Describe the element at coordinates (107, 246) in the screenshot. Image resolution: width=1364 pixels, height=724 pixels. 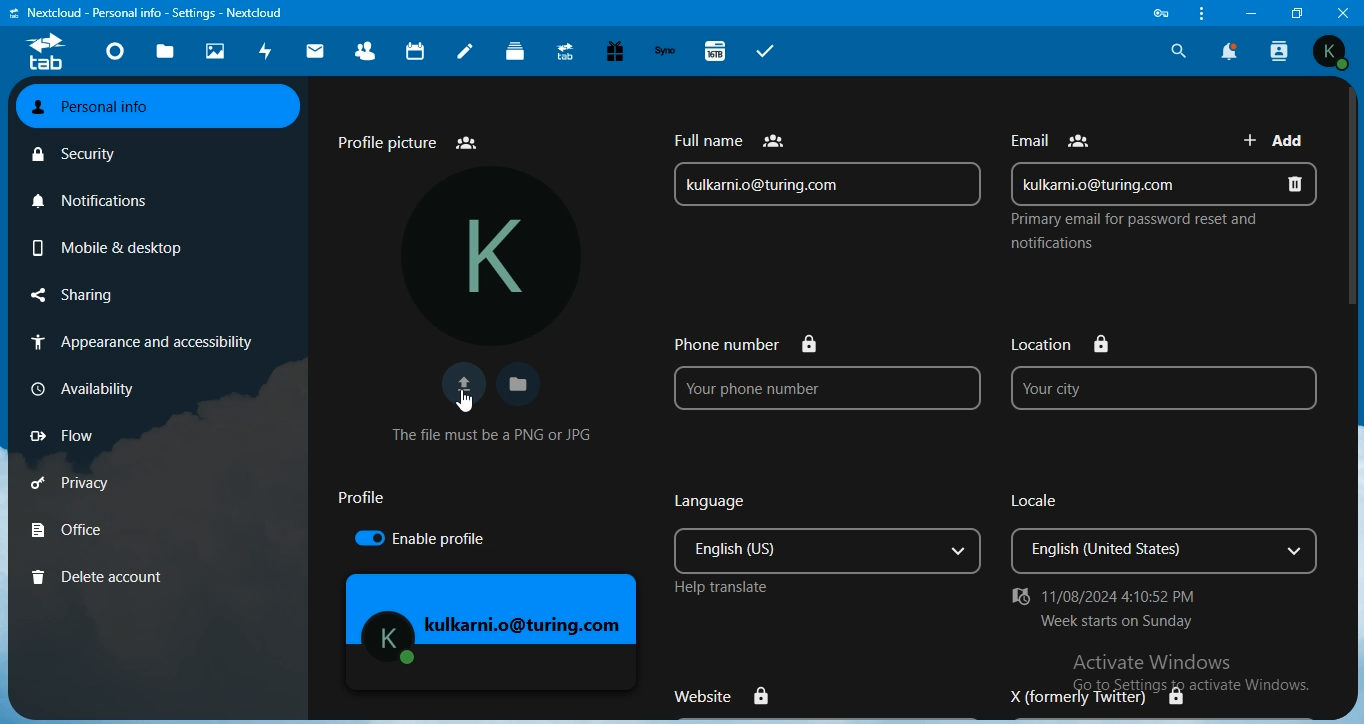
I see `mobile & desktop` at that location.